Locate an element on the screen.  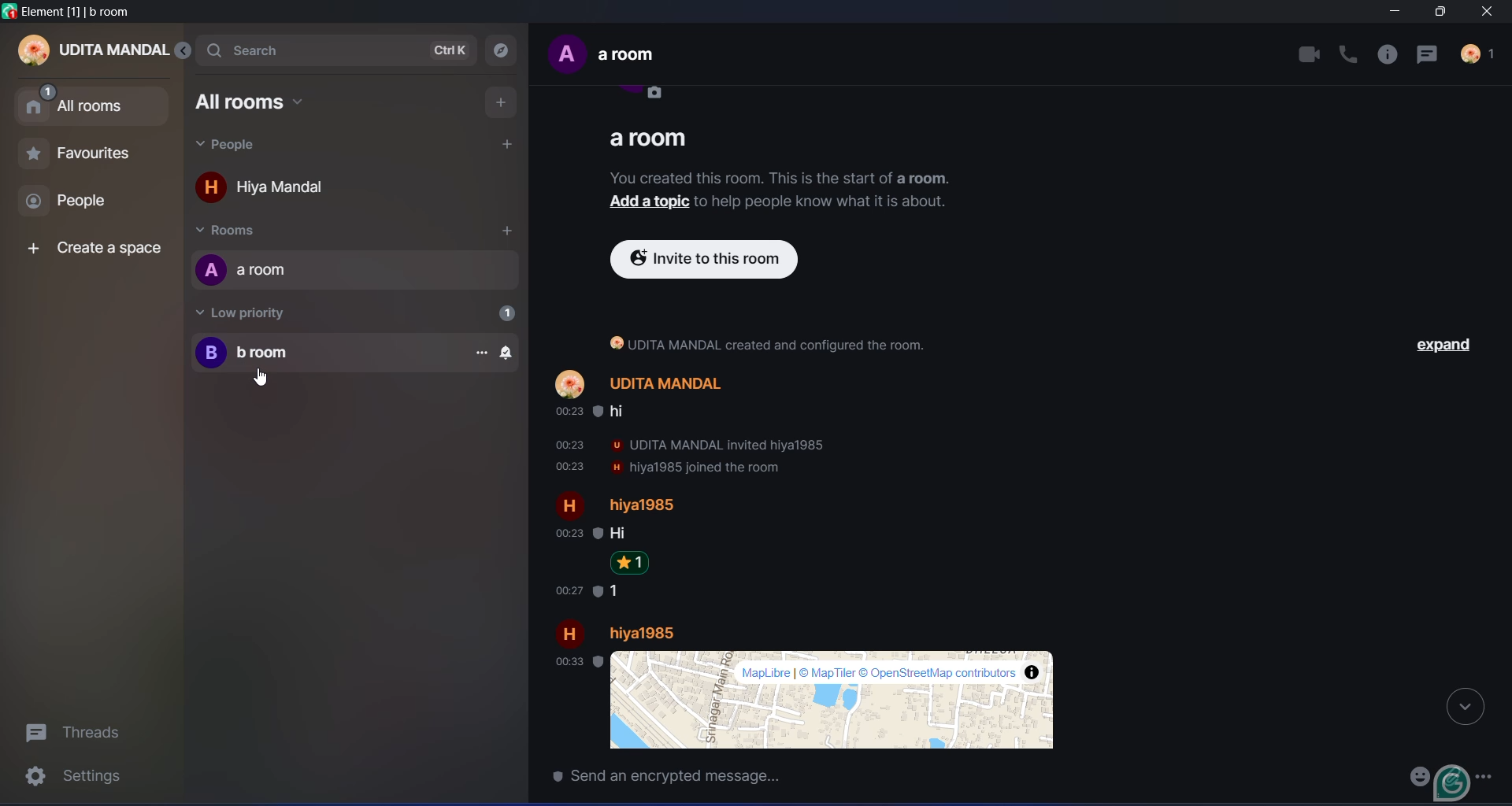
More option is located at coordinates (1489, 774).